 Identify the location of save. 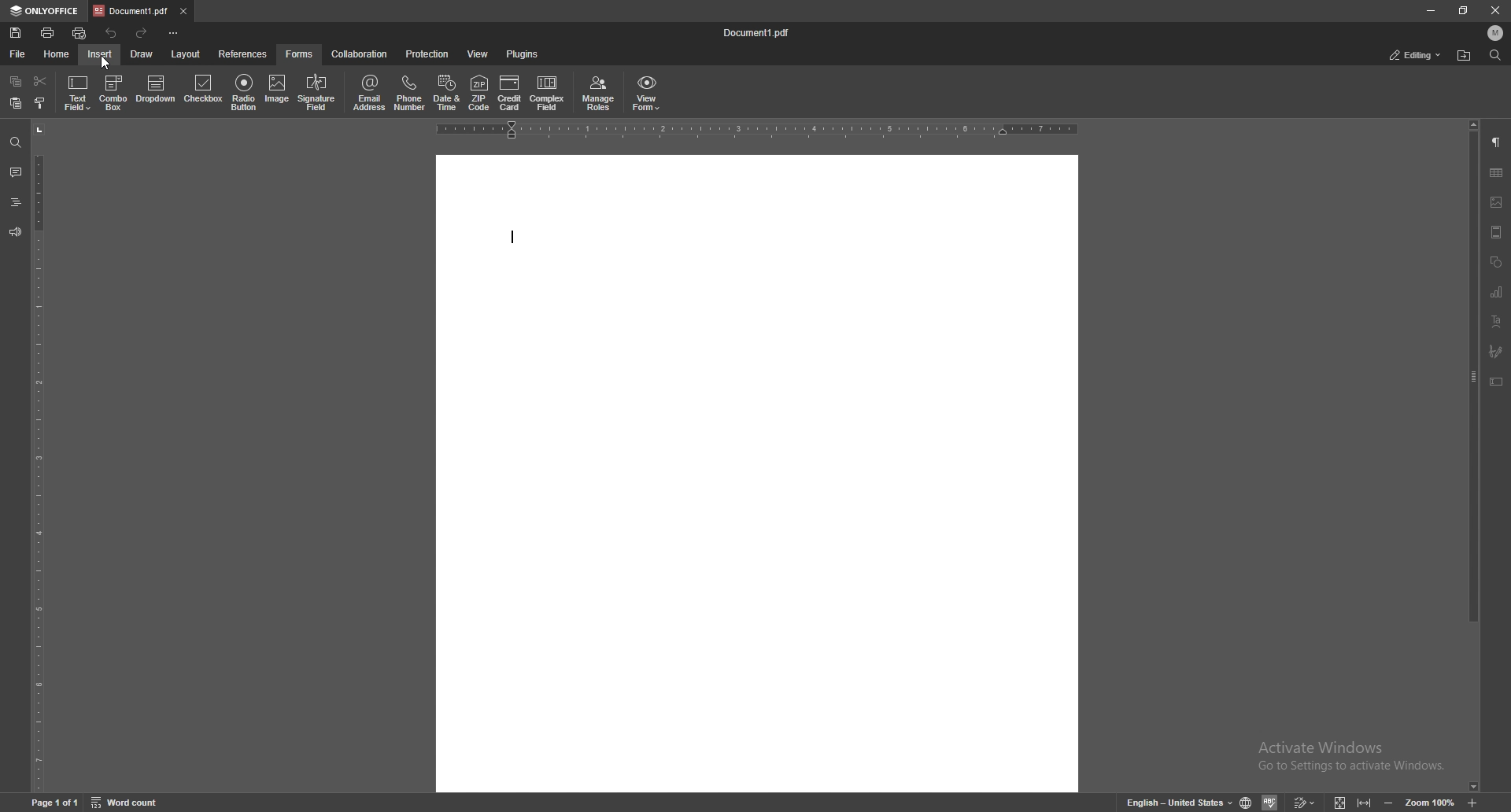
(15, 33).